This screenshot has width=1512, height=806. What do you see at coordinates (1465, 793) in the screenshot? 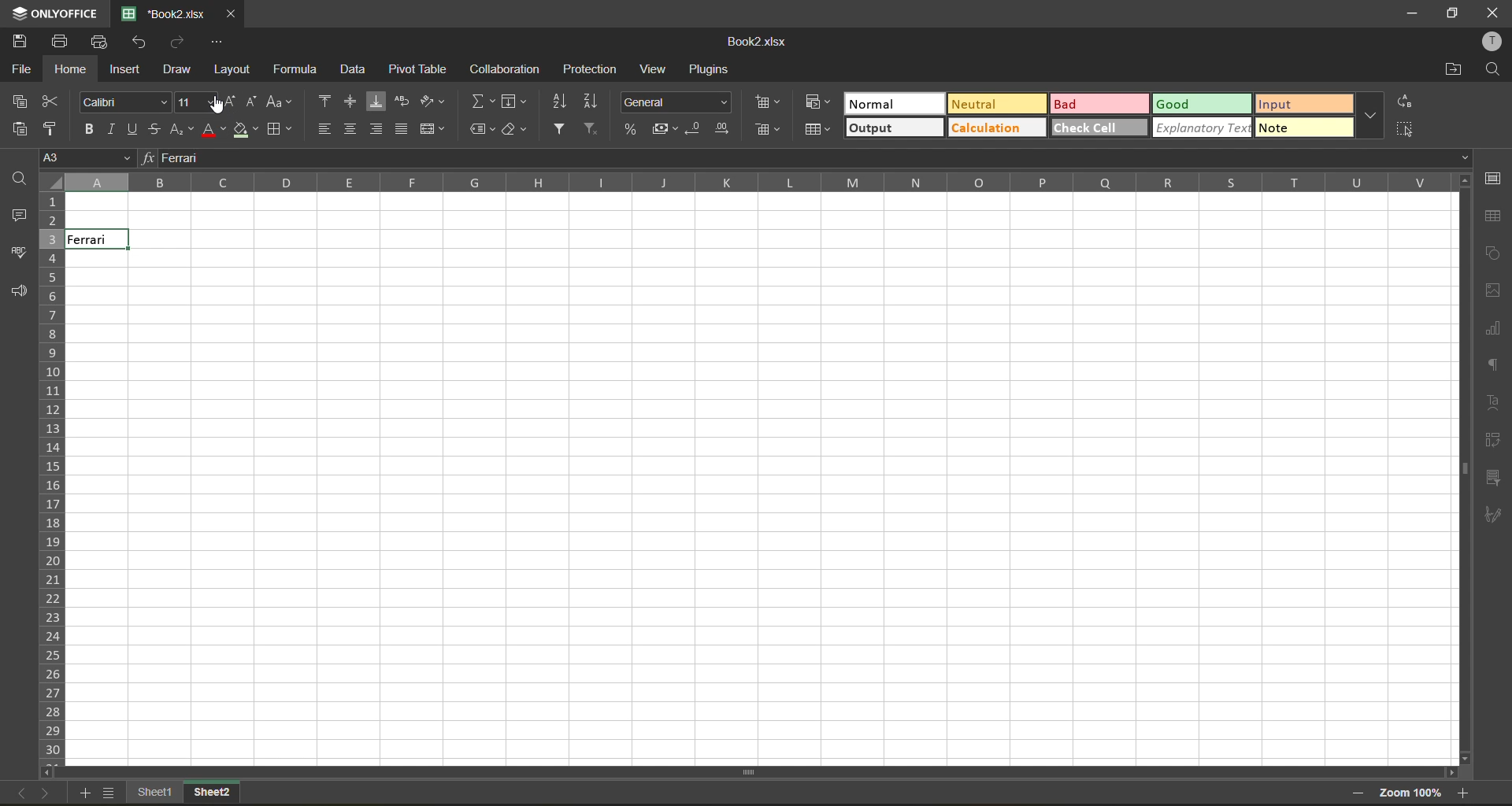
I see `zoom in` at bounding box center [1465, 793].